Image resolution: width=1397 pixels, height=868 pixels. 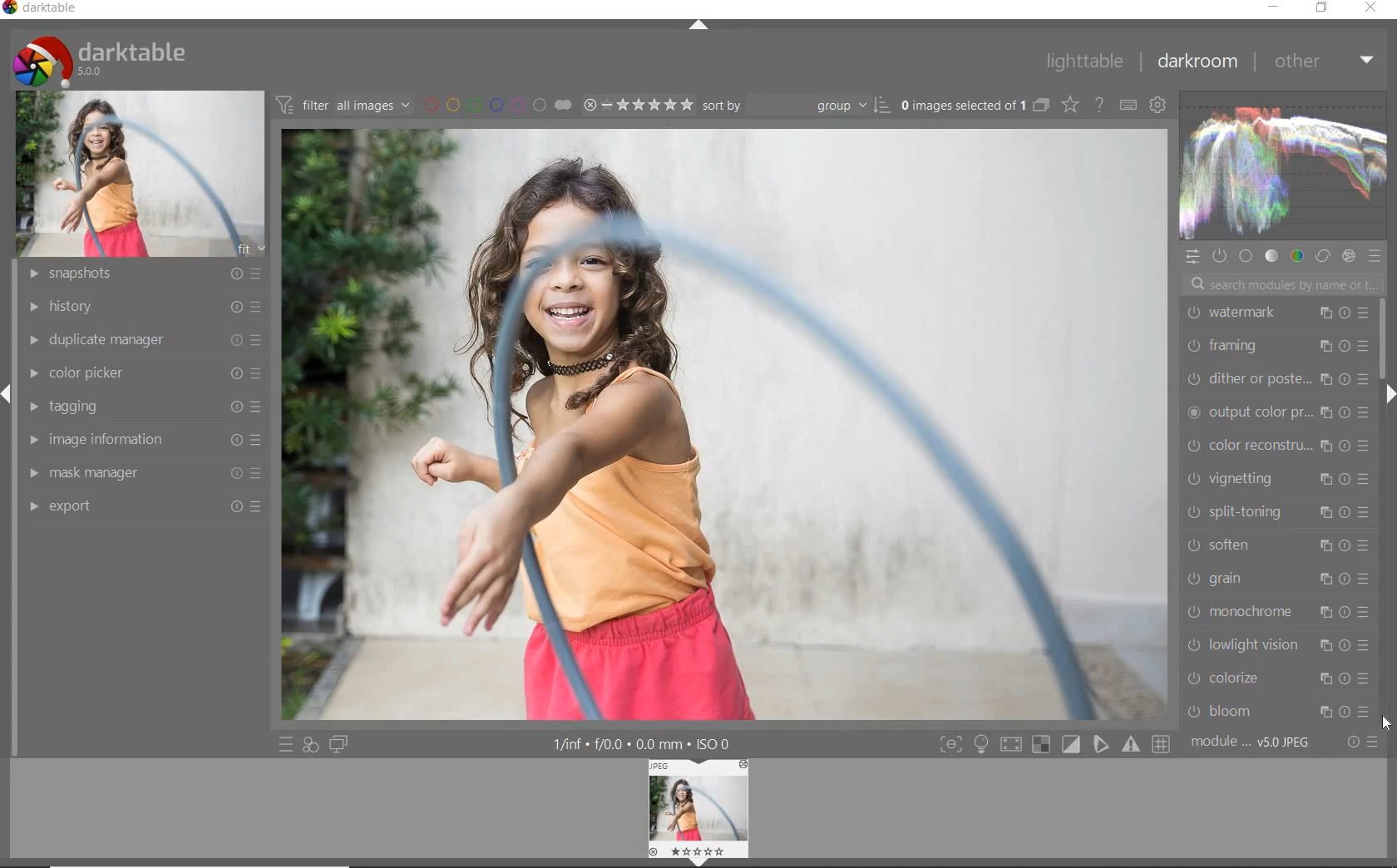 I want to click on watermark, so click(x=1279, y=313).